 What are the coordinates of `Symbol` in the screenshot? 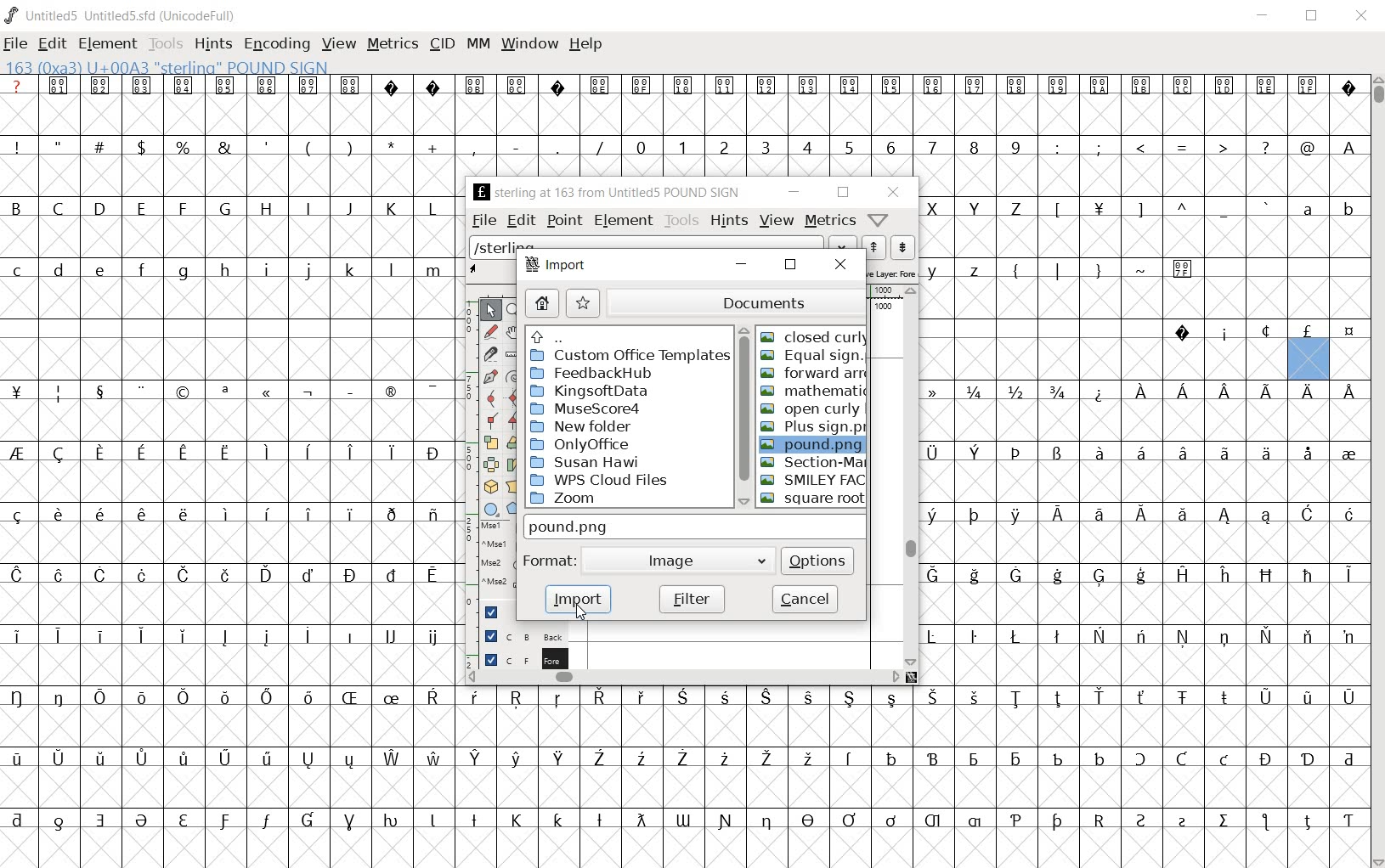 It's located at (600, 86).